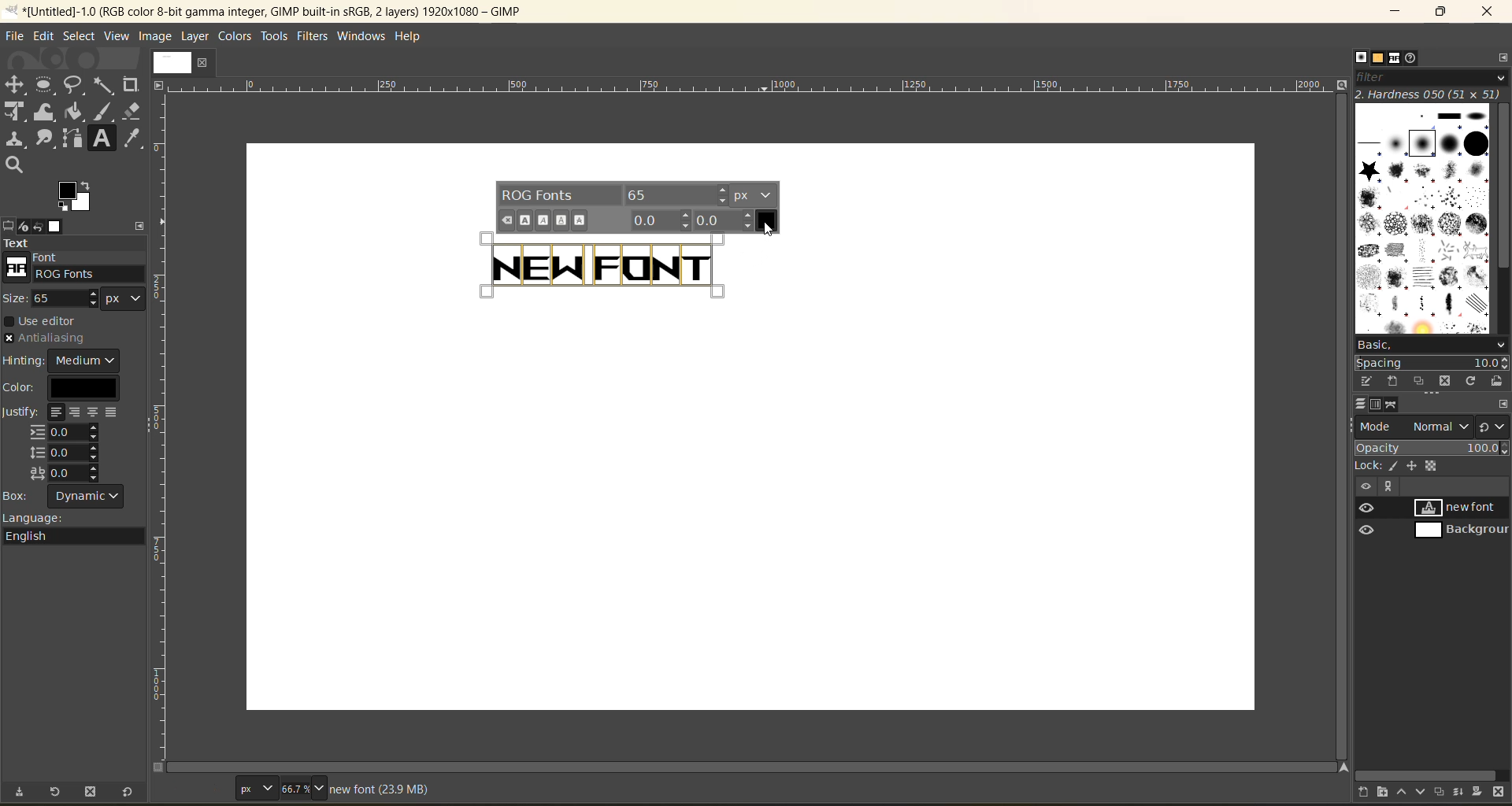 The image size is (1512, 806). What do you see at coordinates (1415, 426) in the screenshot?
I see `mode` at bounding box center [1415, 426].